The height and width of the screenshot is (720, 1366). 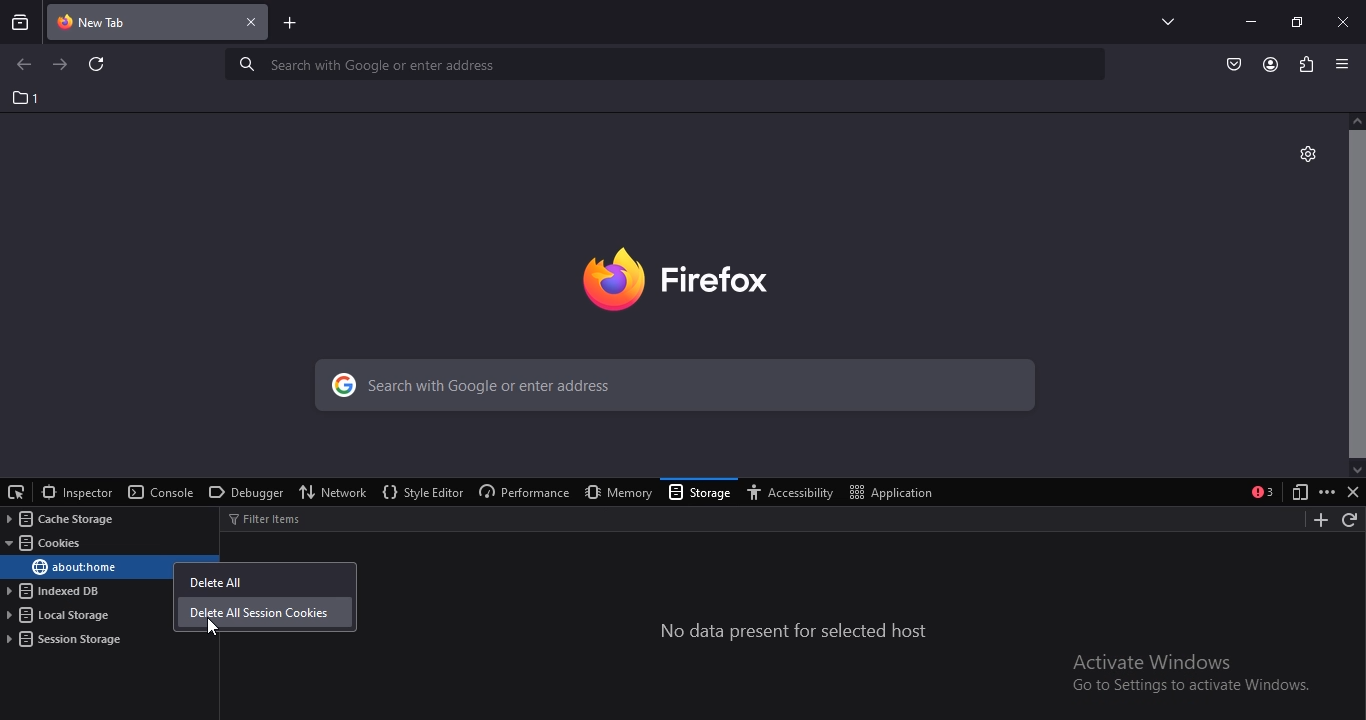 What do you see at coordinates (263, 614) in the screenshot?
I see `delete all session cookies` at bounding box center [263, 614].